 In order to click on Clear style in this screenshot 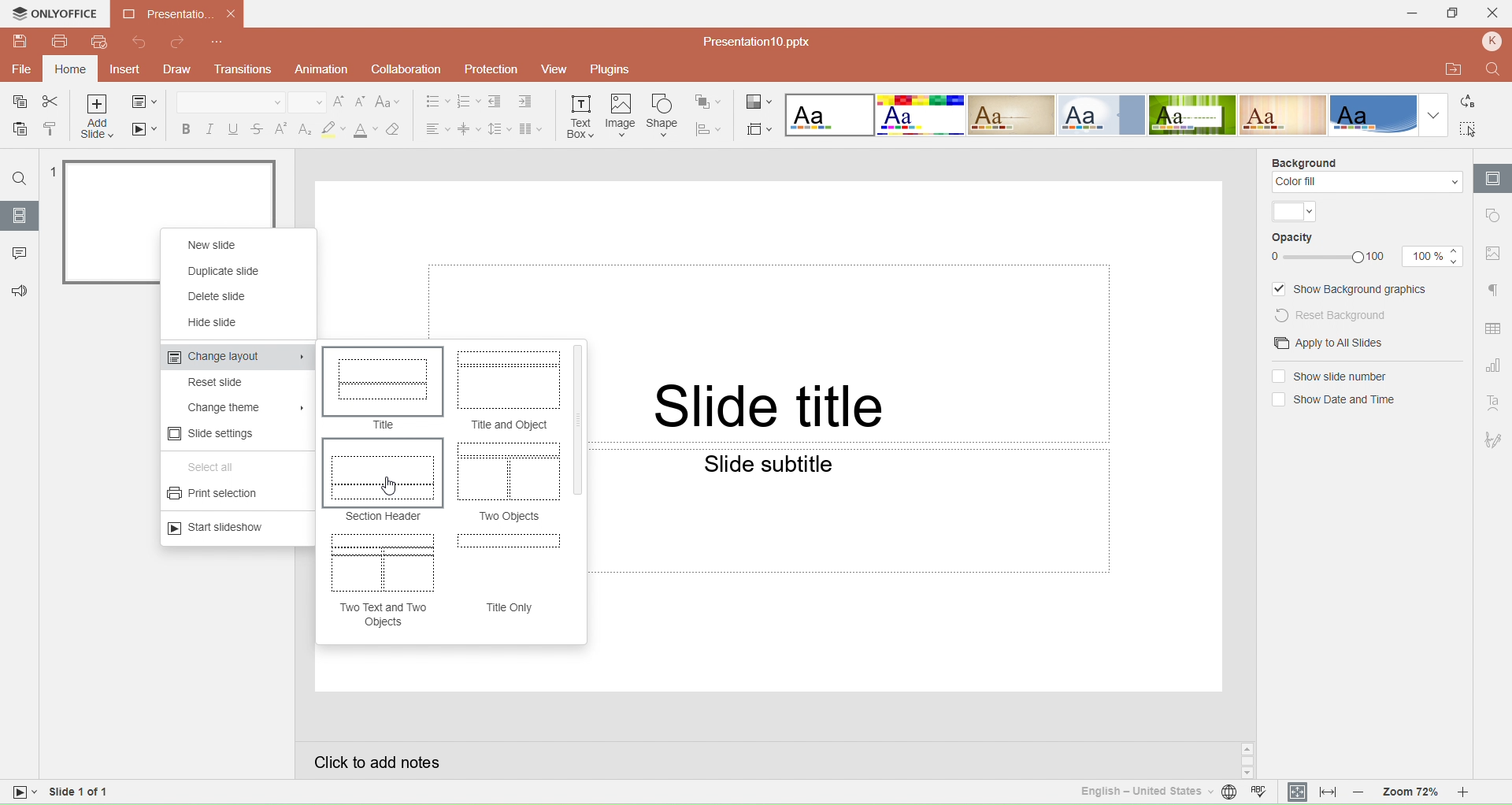, I will do `click(398, 128)`.